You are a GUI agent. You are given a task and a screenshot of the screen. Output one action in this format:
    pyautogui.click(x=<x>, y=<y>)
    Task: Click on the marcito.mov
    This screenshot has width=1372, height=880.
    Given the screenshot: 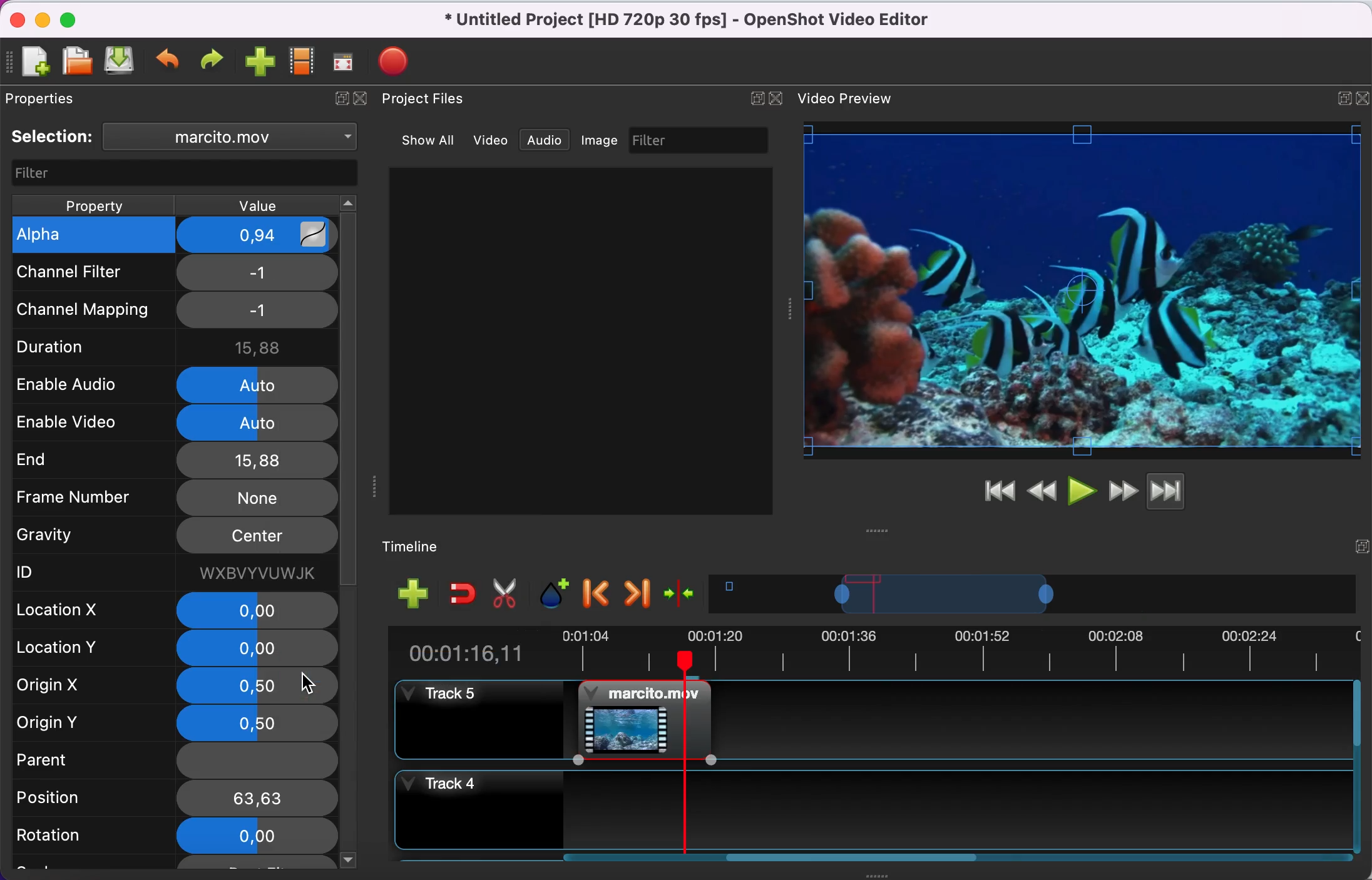 What is the action you would take?
    pyautogui.click(x=262, y=138)
    